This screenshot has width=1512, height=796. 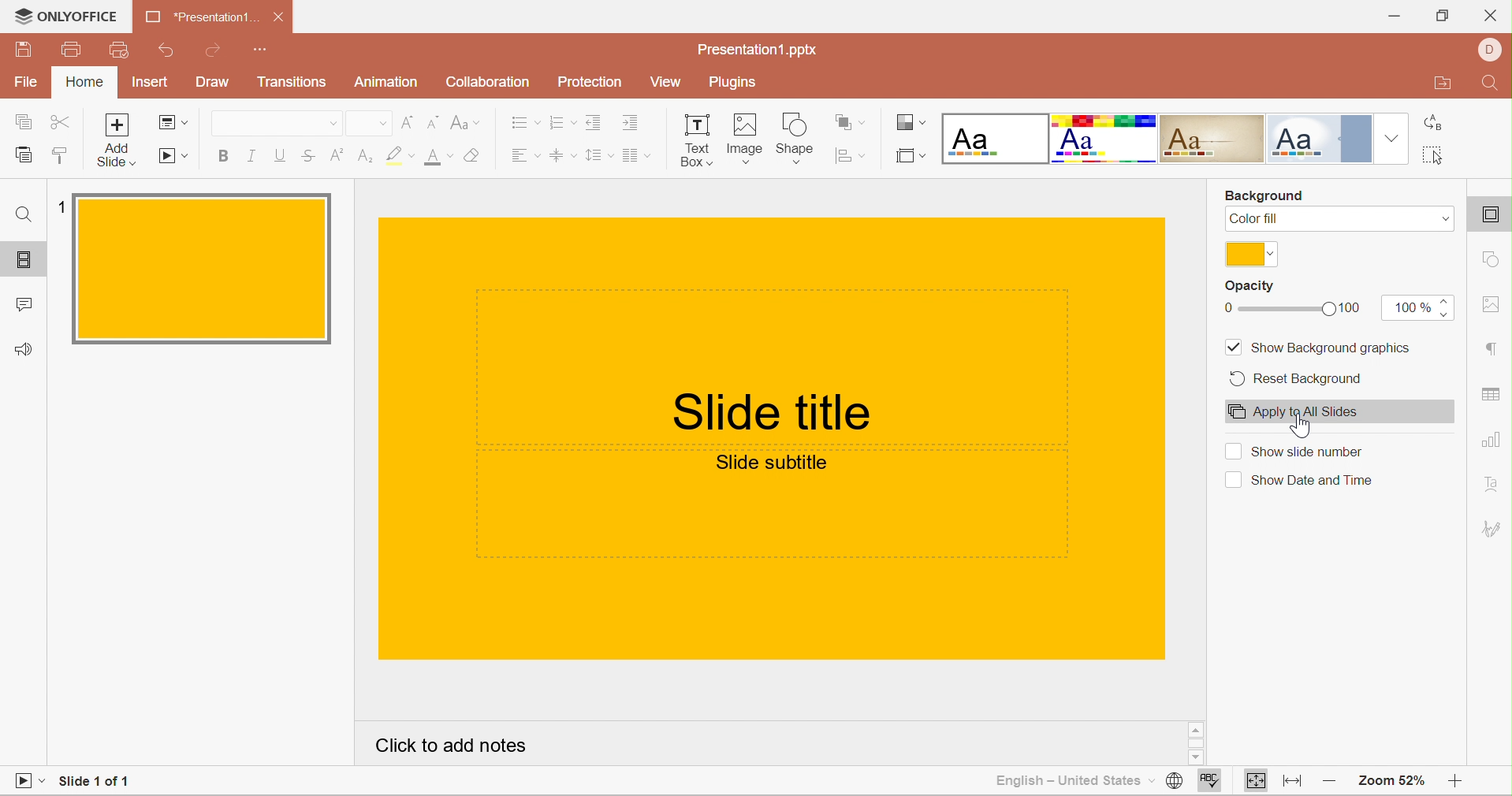 I want to click on Font, so click(x=254, y=124).